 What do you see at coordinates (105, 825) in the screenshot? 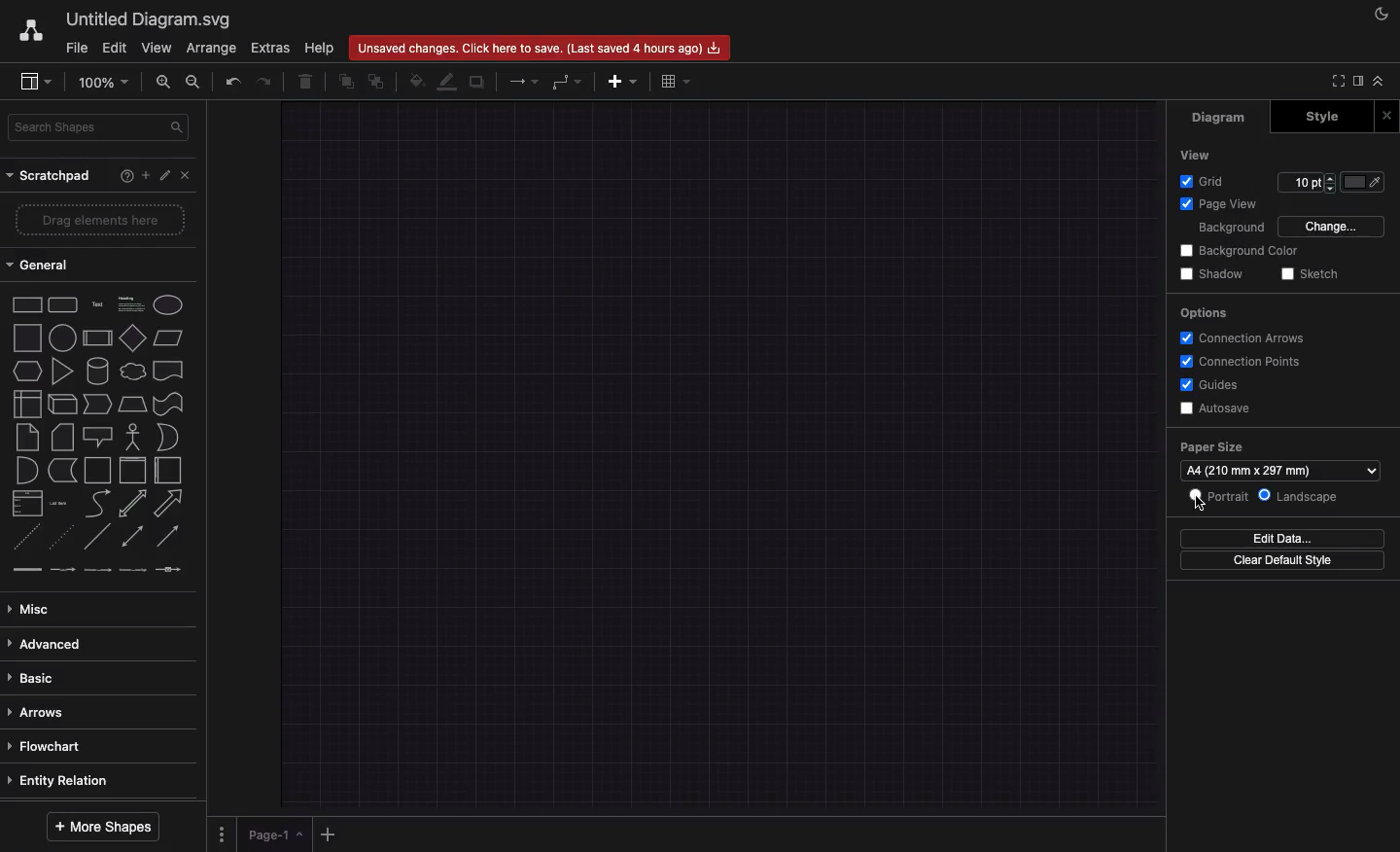
I see `More shapes` at bounding box center [105, 825].